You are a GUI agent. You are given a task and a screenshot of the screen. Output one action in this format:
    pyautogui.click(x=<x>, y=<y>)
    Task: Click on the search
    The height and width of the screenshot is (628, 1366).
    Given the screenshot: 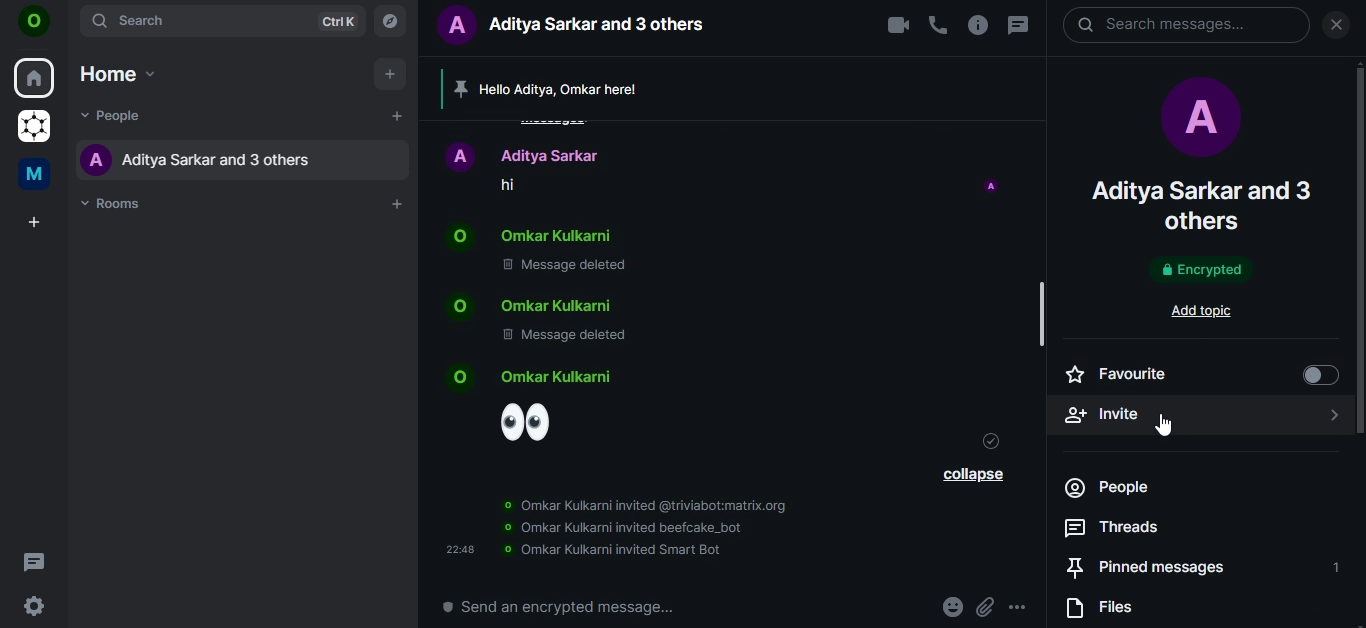 What is the action you would take?
    pyautogui.click(x=223, y=21)
    